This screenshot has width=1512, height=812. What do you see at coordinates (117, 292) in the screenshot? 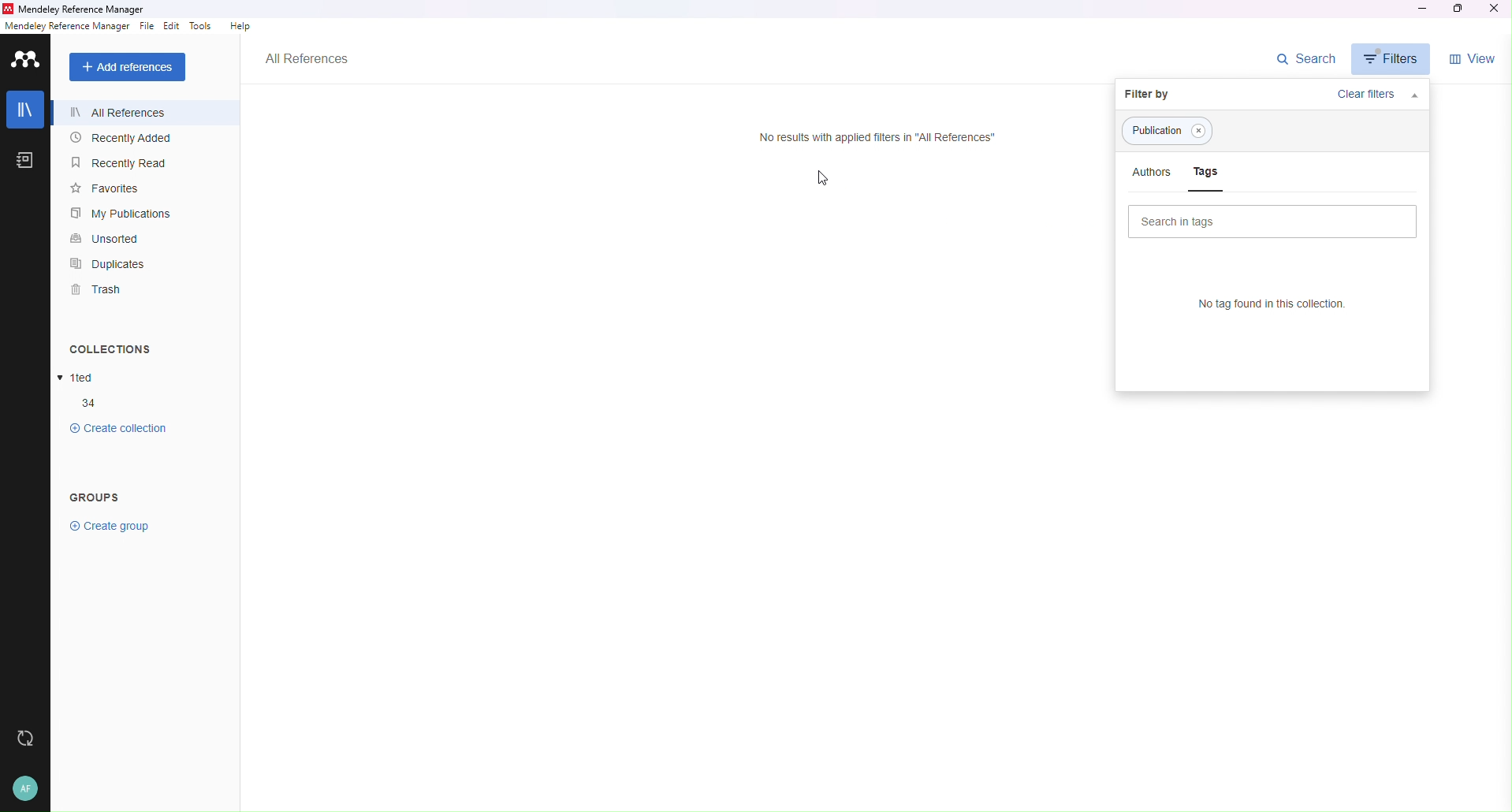
I see `Trash` at bounding box center [117, 292].